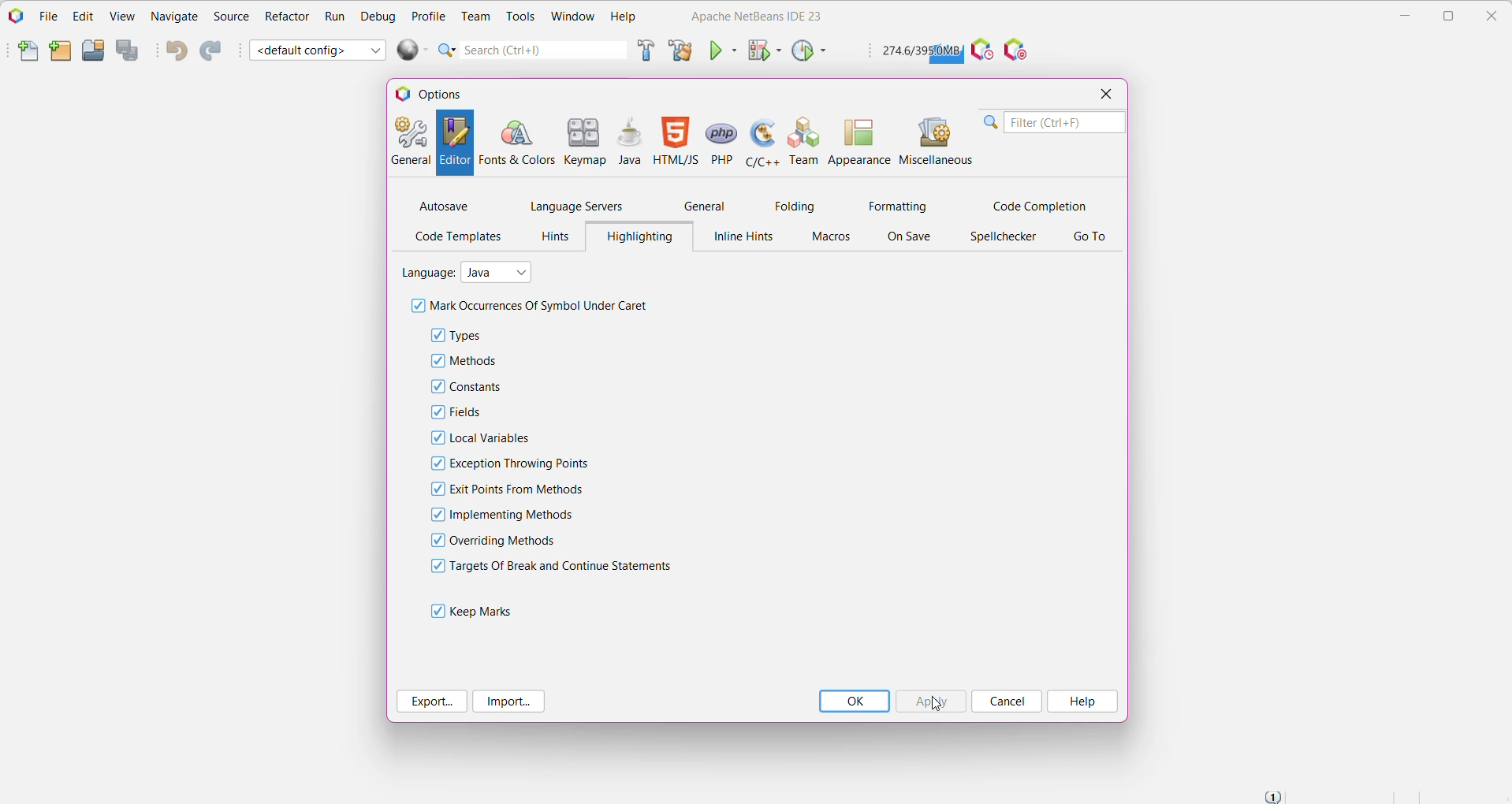  Describe the element at coordinates (80, 17) in the screenshot. I see `Edit` at that location.